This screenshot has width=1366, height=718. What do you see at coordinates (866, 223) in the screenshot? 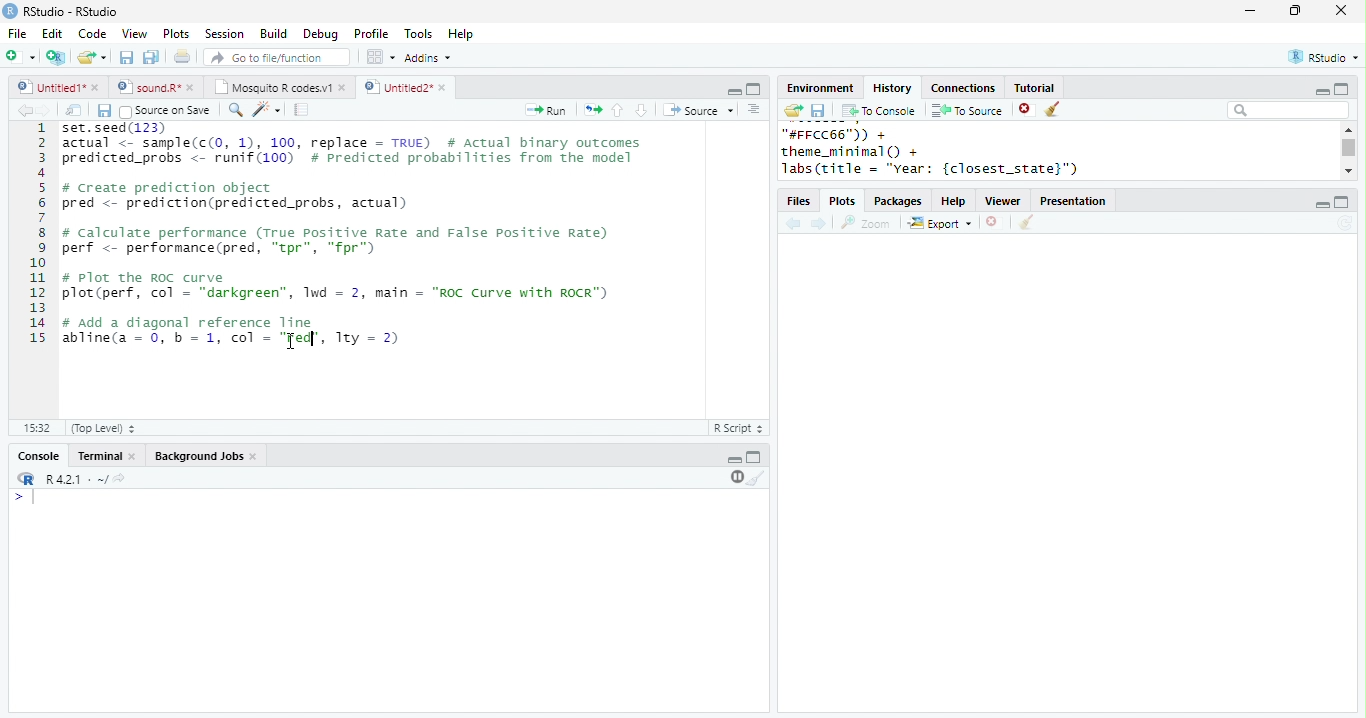
I see `Zoom` at bounding box center [866, 223].